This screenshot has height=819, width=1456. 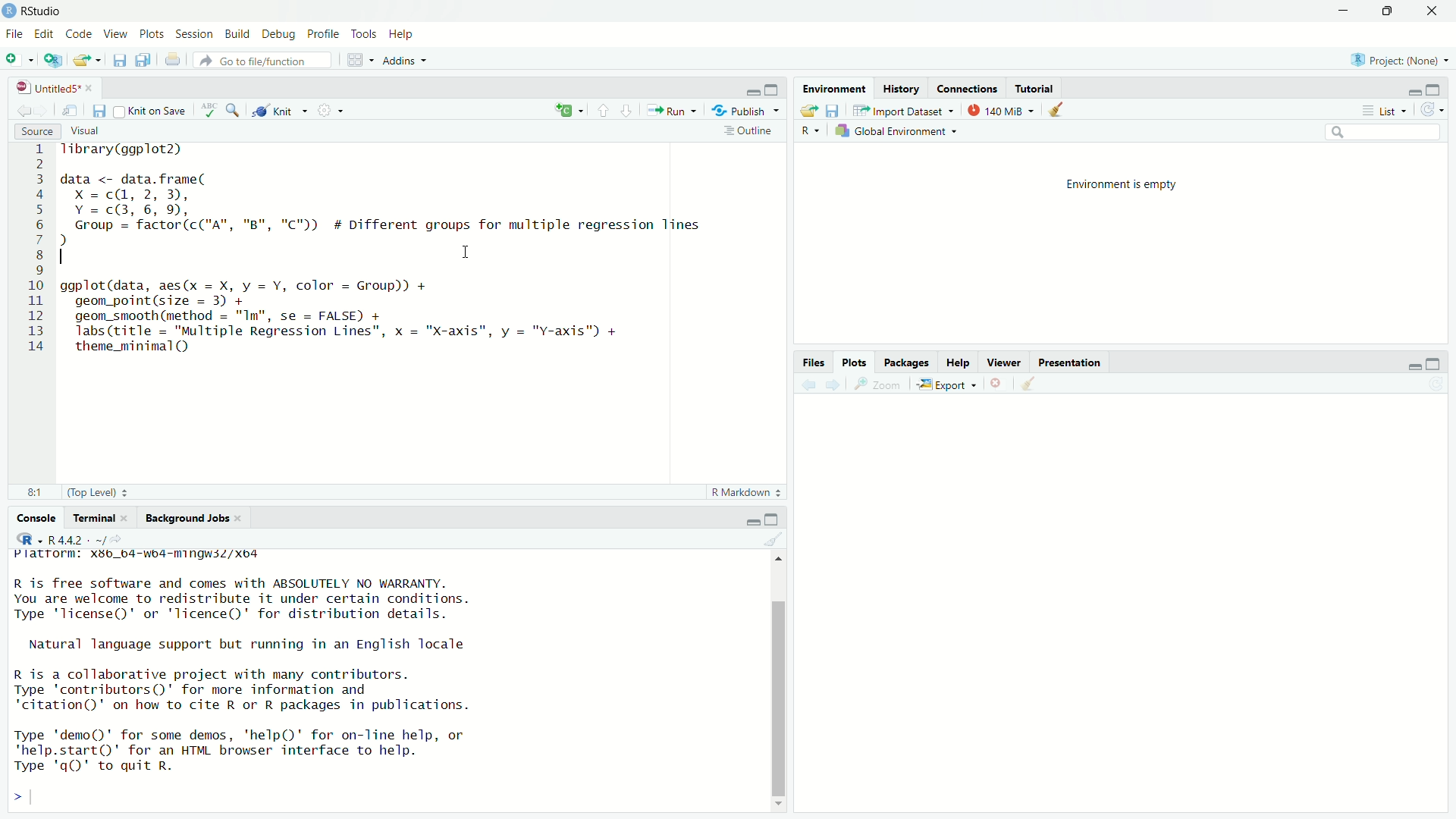 What do you see at coordinates (1410, 91) in the screenshot?
I see `minimise` at bounding box center [1410, 91].